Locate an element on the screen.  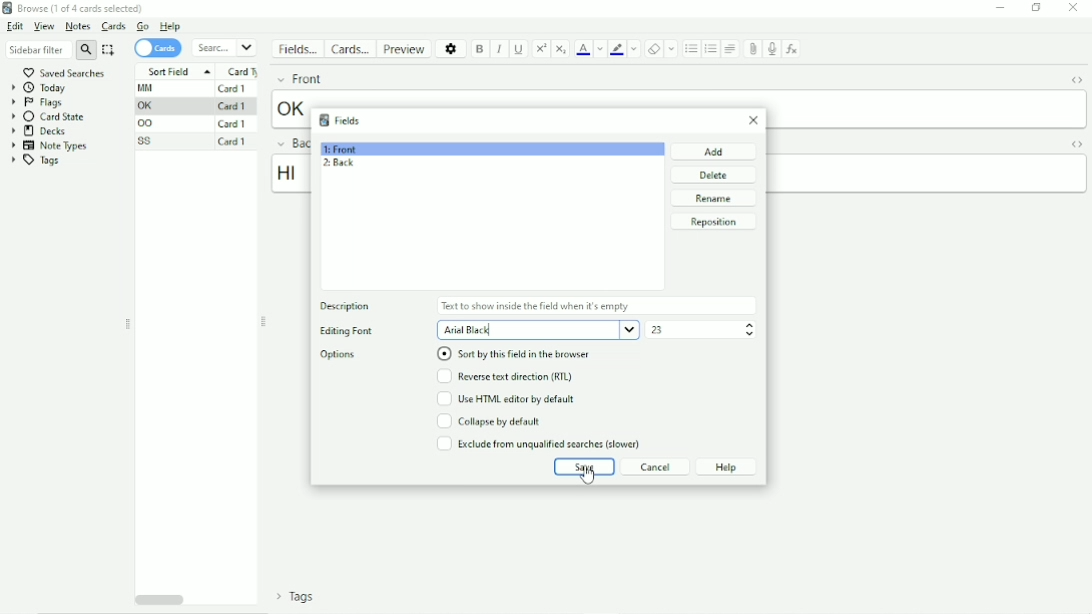
Card 1 is located at coordinates (234, 88).